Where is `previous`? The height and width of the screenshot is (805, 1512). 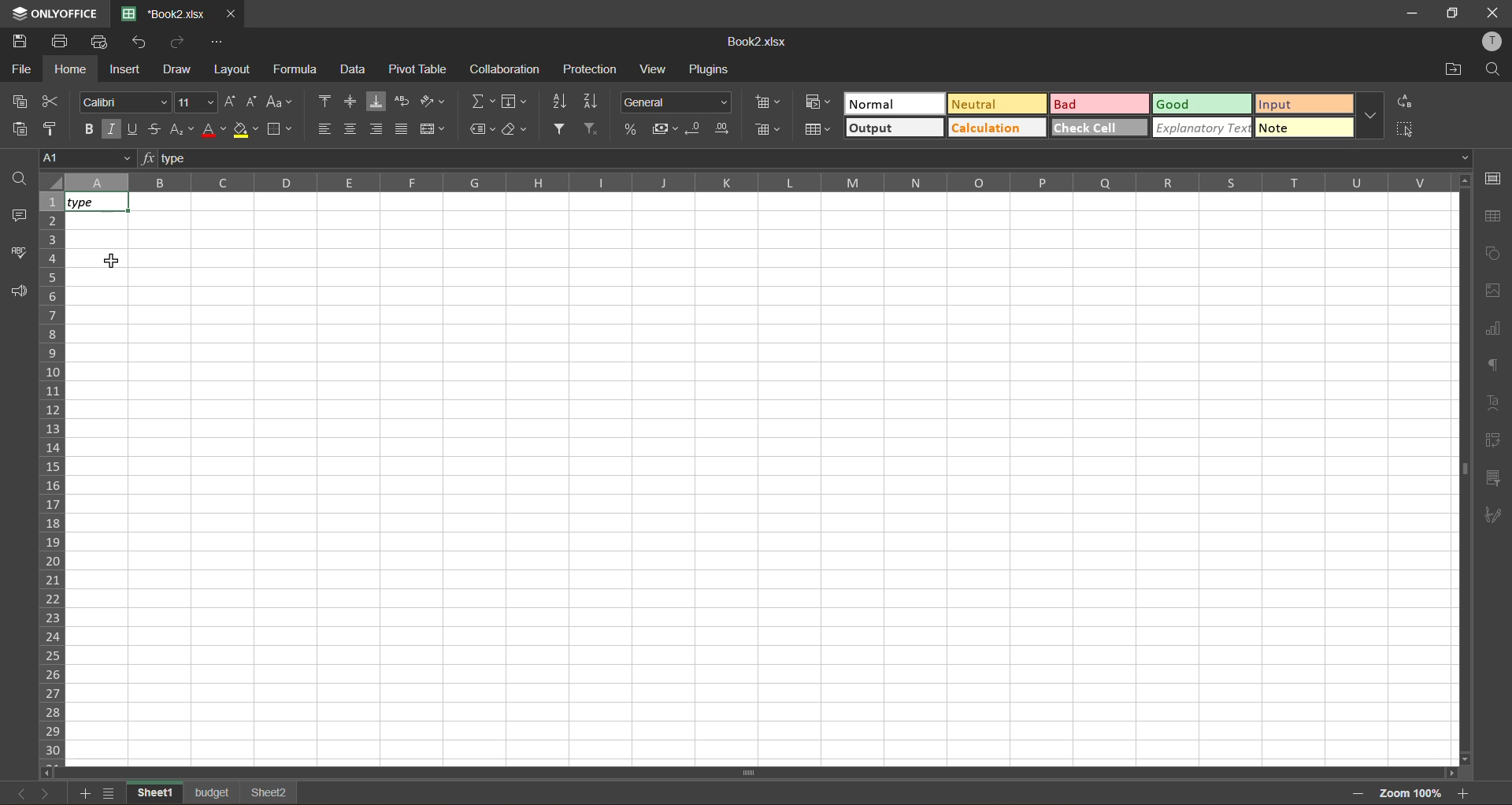 previous is located at coordinates (16, 796).